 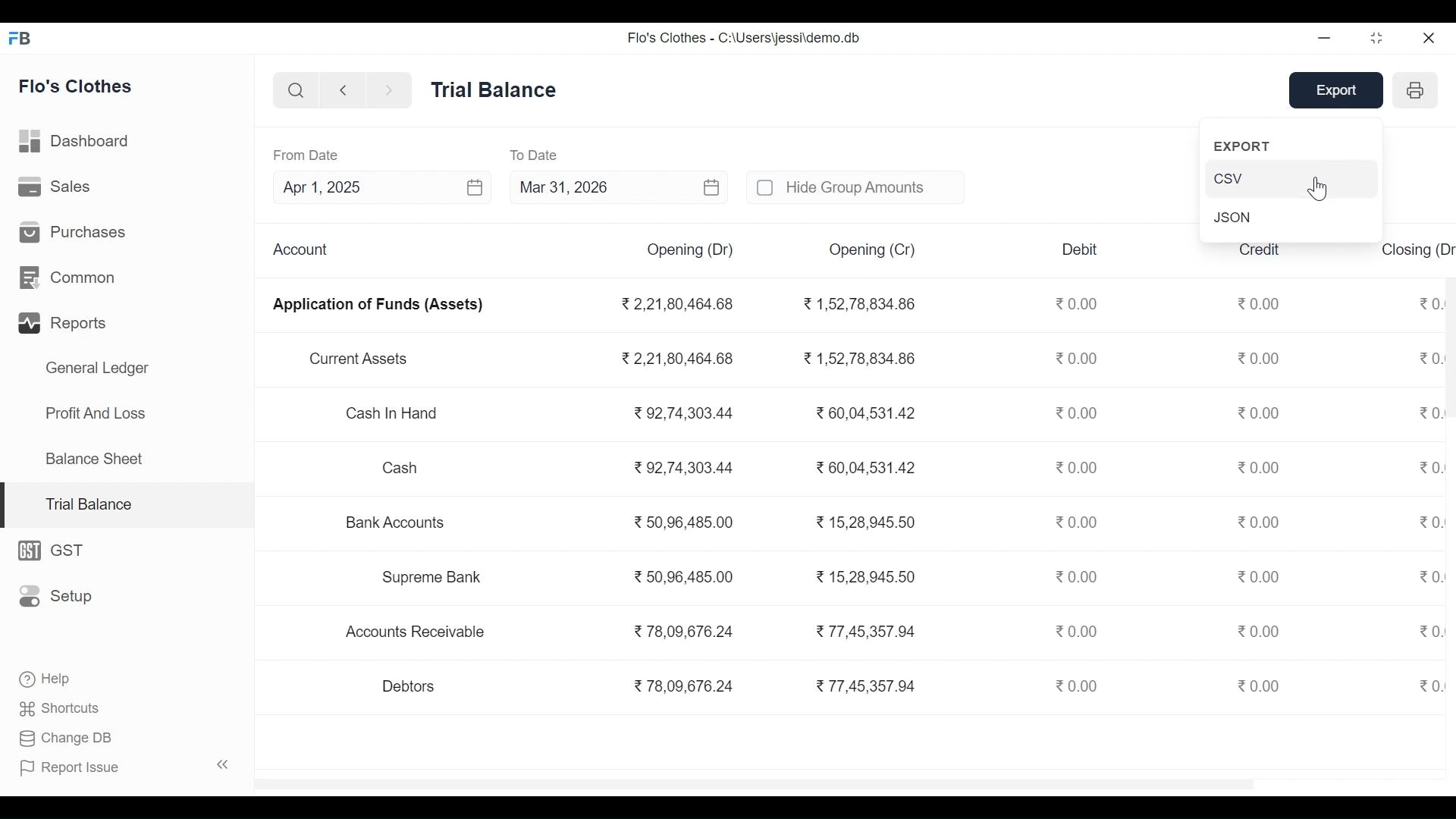 What do you see at coordinates (1415, 91) in the screenshot?
I see `Print` at bounding box center [1415, 91].